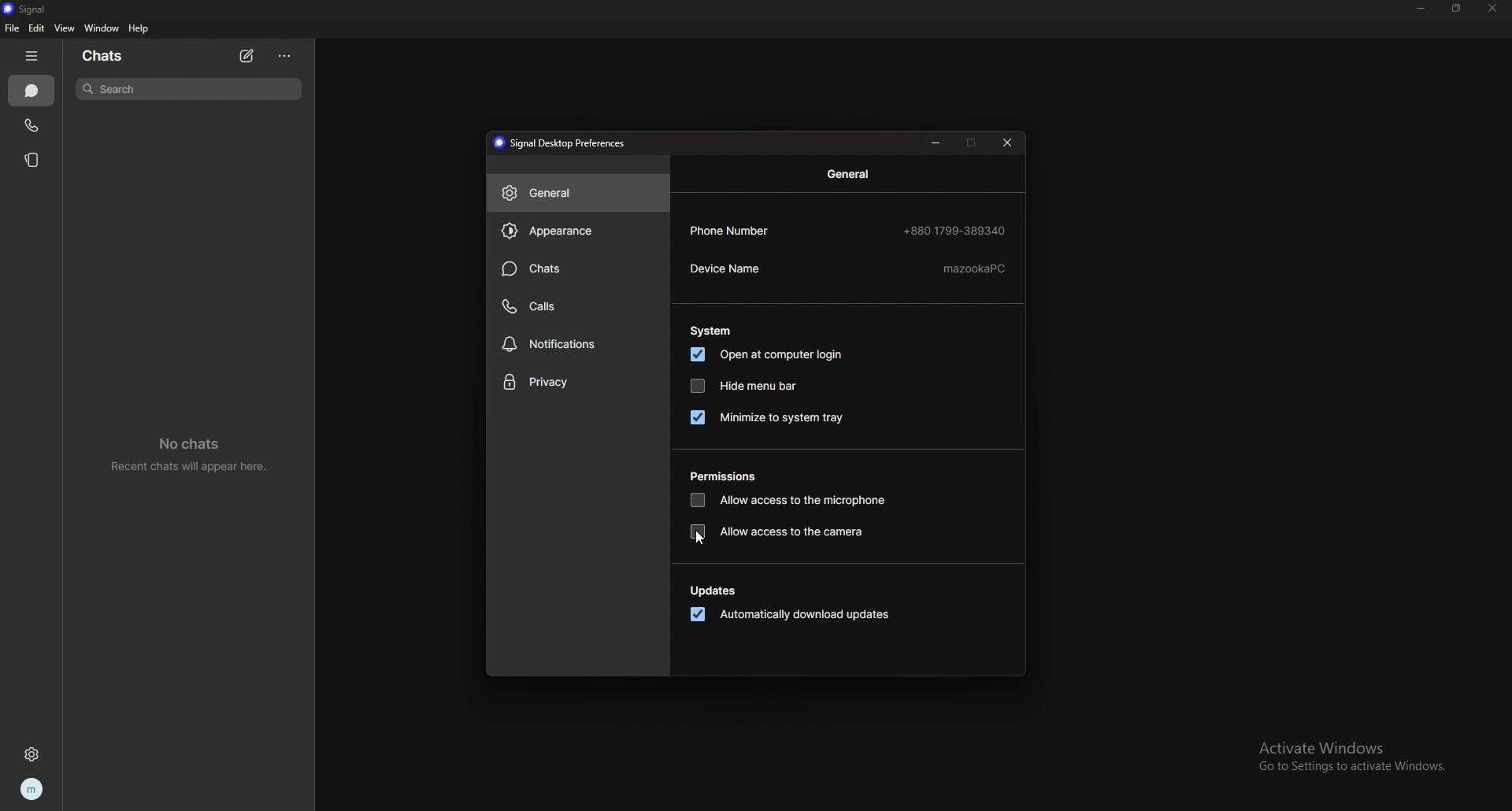  I want to click on phone number, so click(850, 230).